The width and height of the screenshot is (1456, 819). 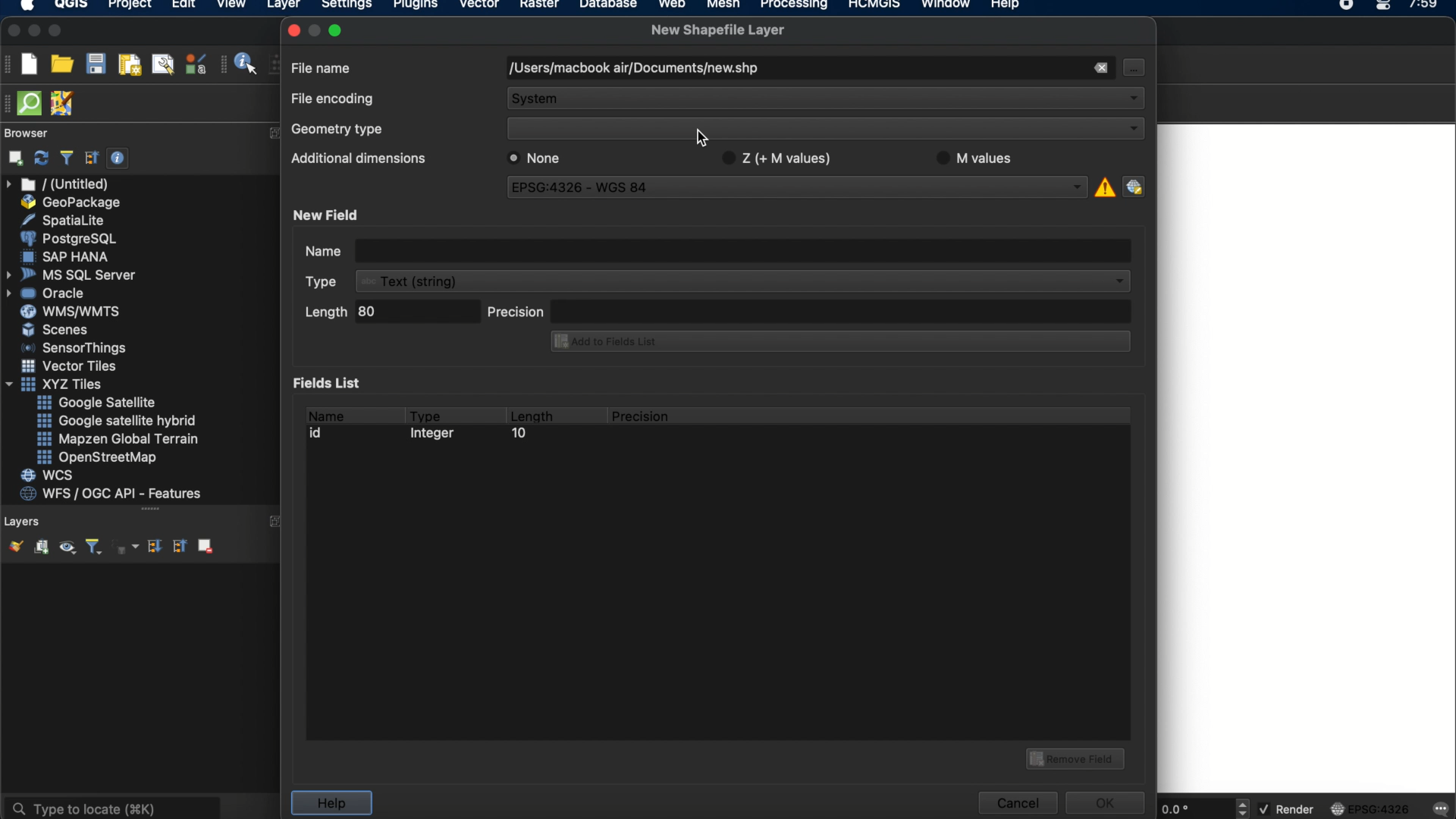 What do you see at coordinates (111, 807) in the screenshot?
I see `type to locate` at bounding box center [111, 807].